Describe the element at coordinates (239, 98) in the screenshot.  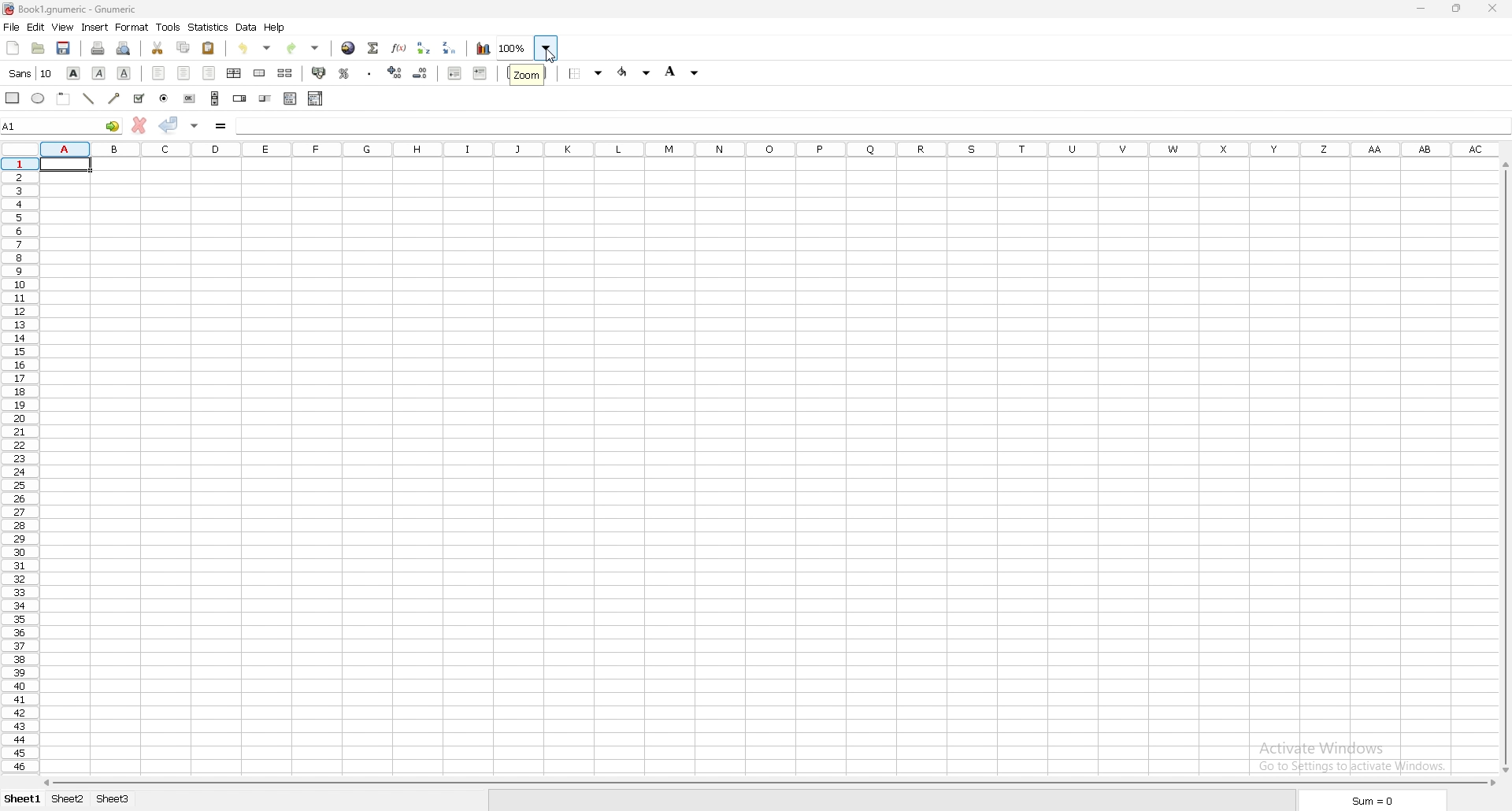
I see `spin button` at that location.